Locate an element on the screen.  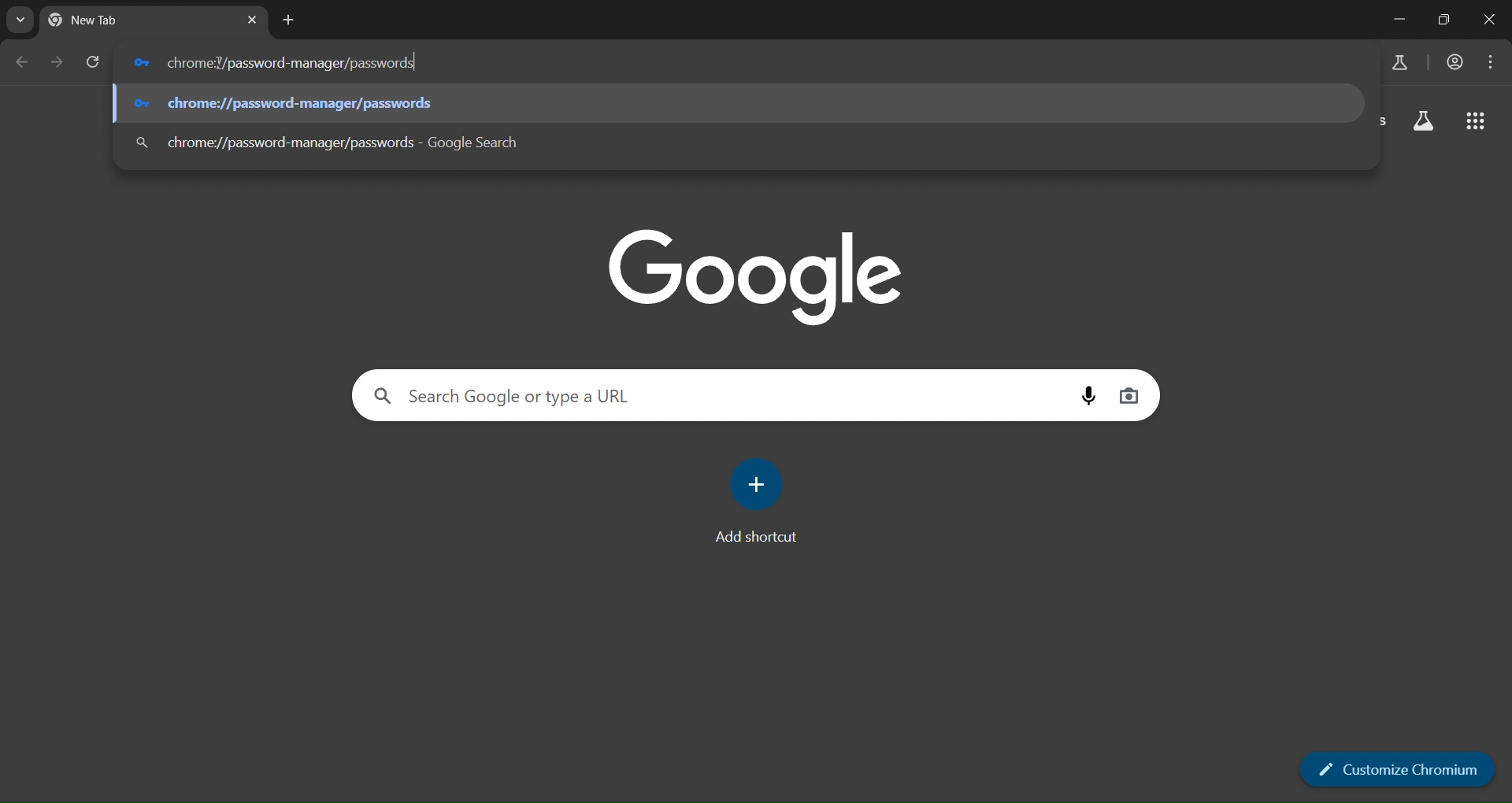
search tabs is located at coordinates (20, 22).